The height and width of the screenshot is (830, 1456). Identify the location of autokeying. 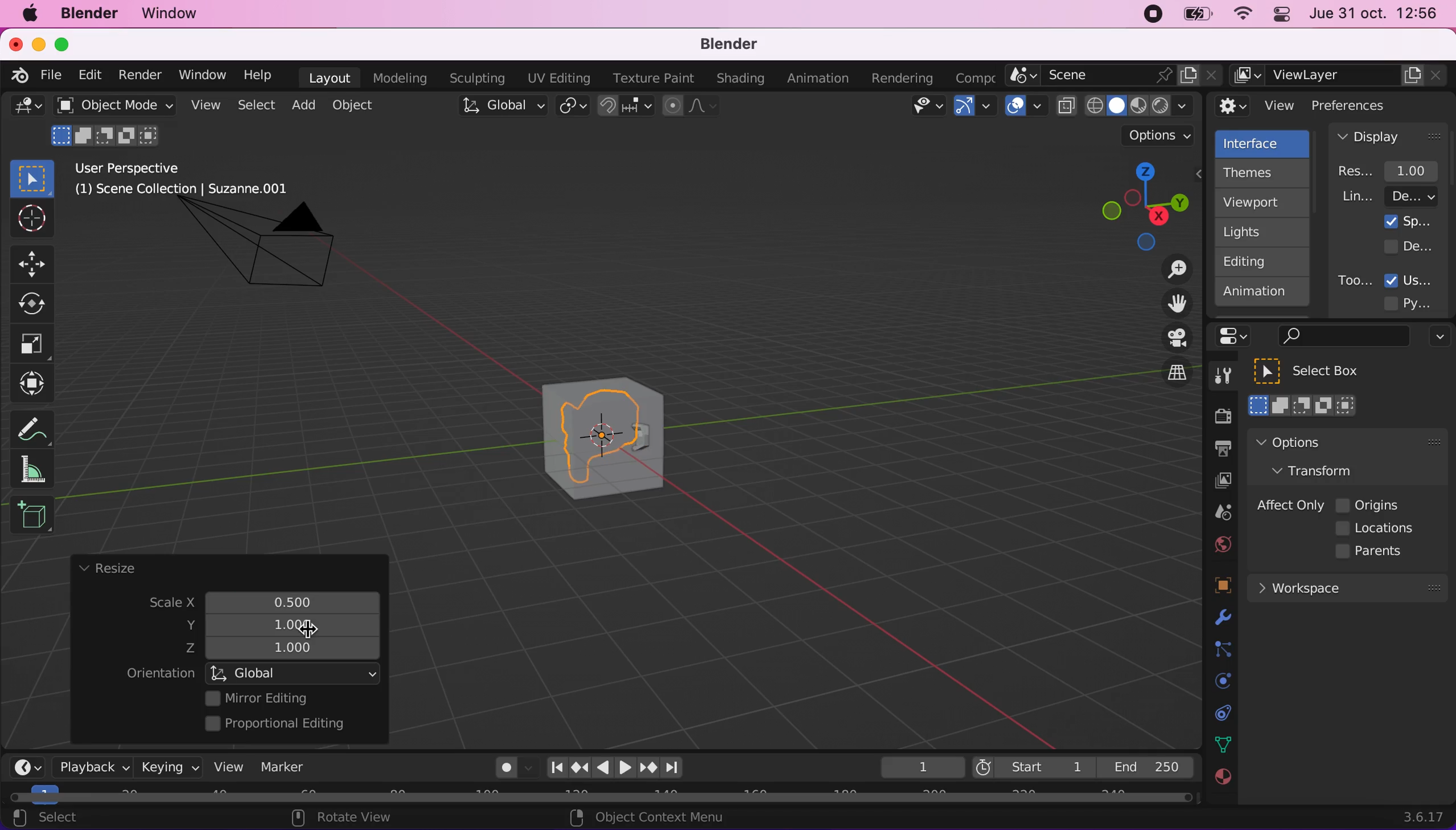
(507, 771).